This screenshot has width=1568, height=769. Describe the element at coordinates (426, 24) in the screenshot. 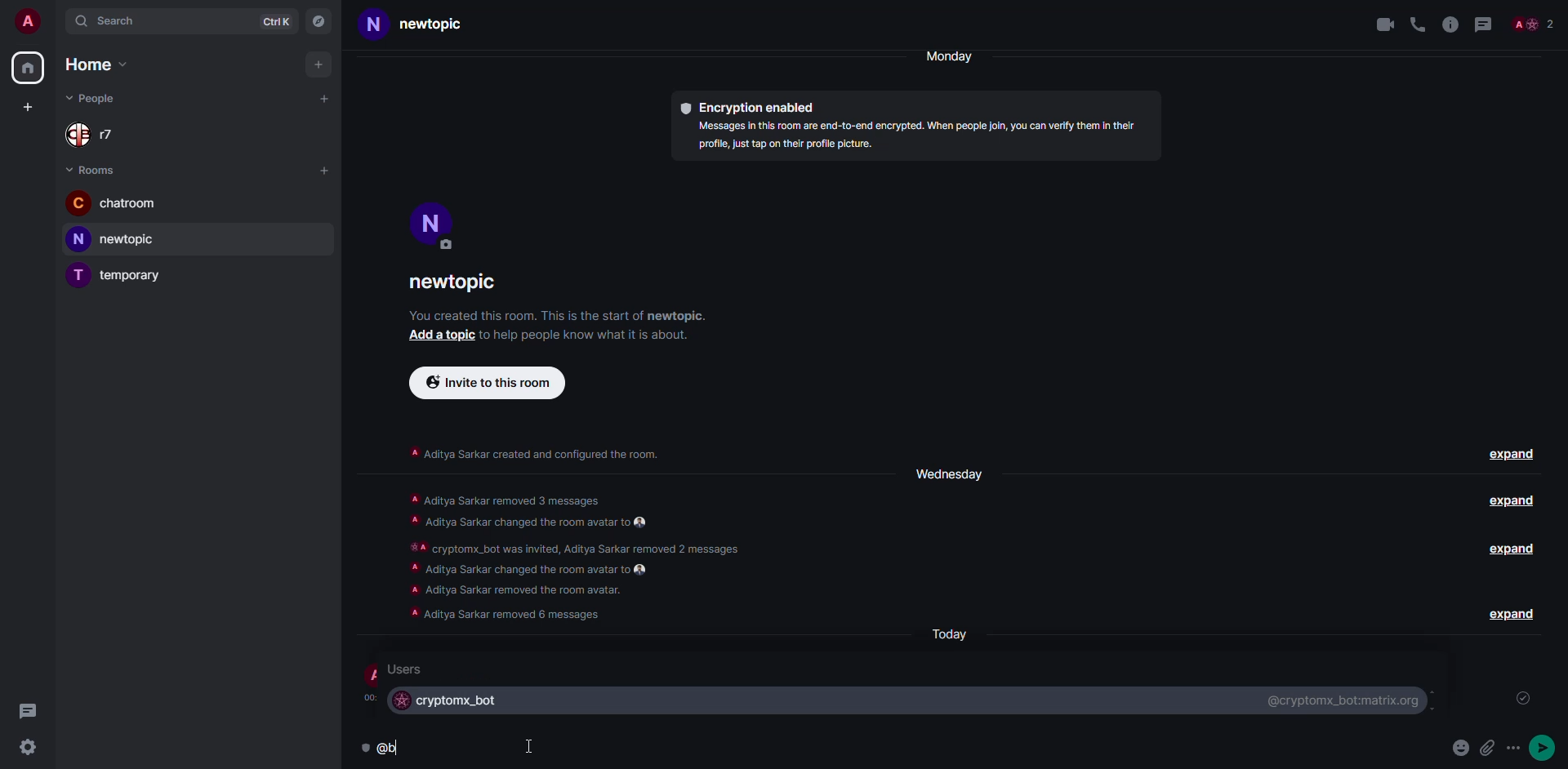

I see `room` at that location.